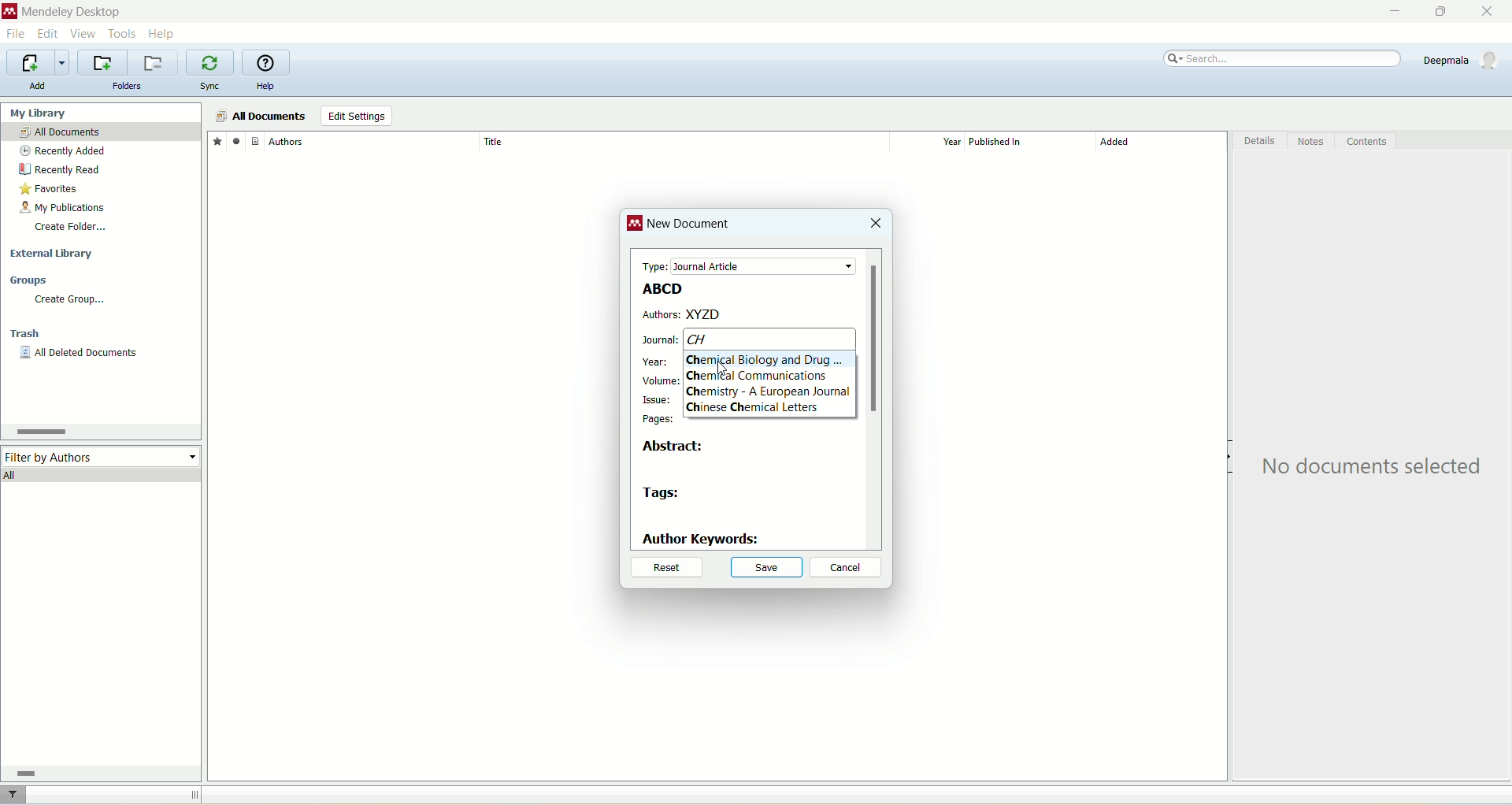 This screenshot has height=805, width=1512. I want to click on added, so click(1162, 146).